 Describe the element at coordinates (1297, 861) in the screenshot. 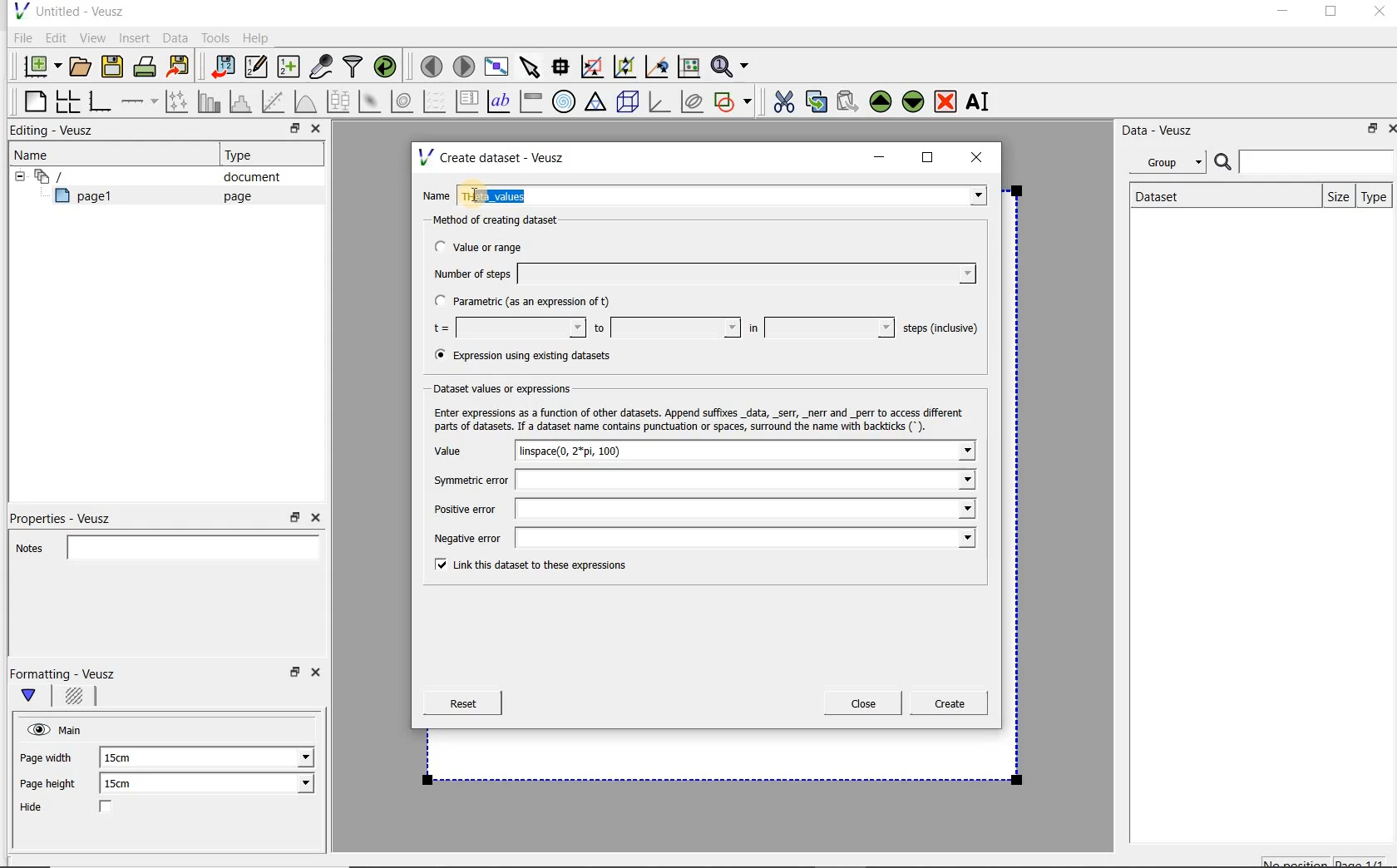

I see `No position` at that location.